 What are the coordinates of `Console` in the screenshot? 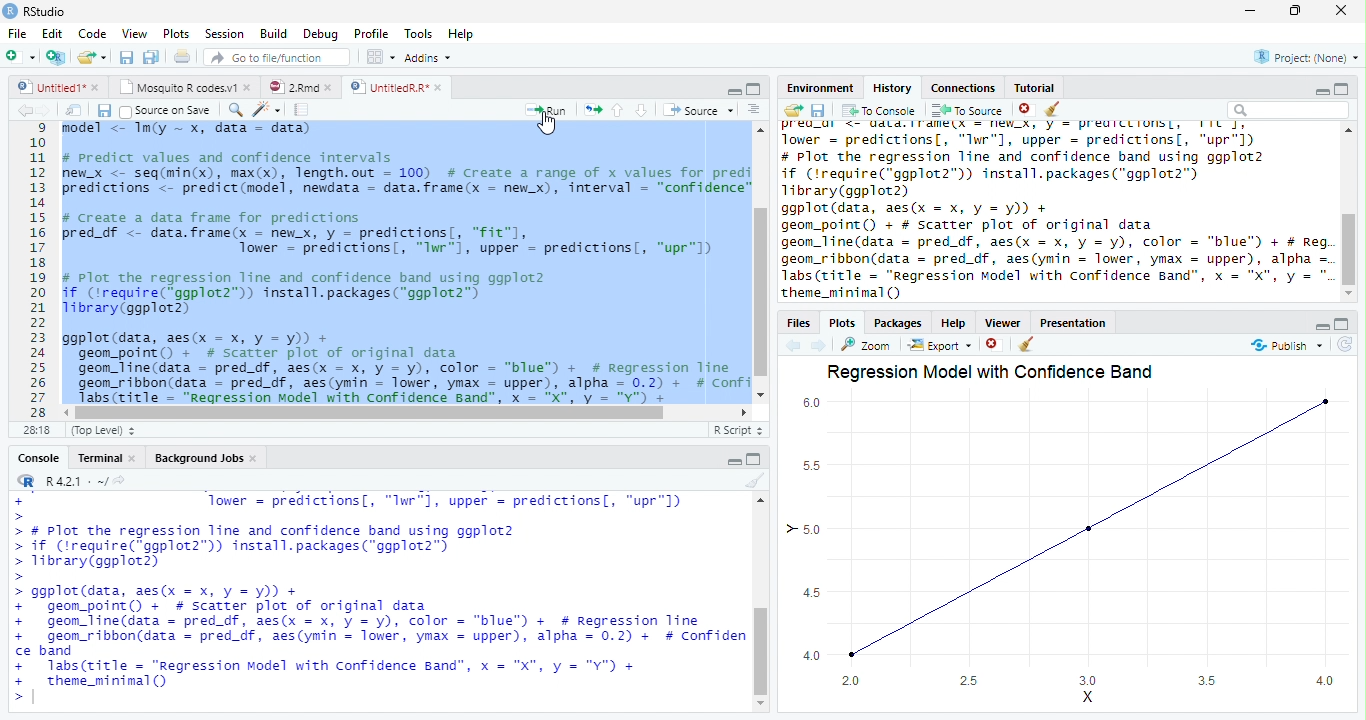 It's located at (37, 455).